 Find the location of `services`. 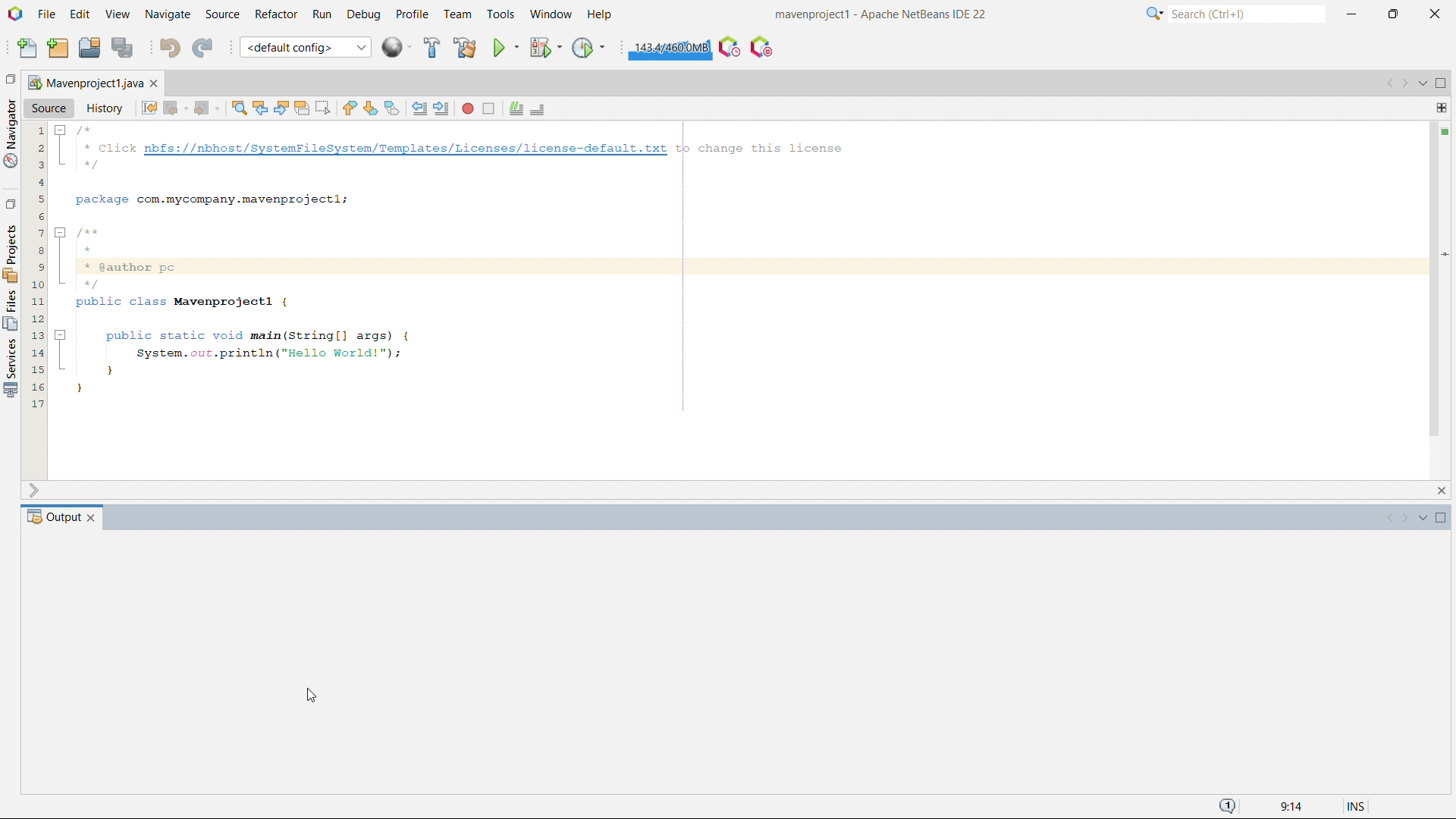

services is located at coordinates (10, 252).